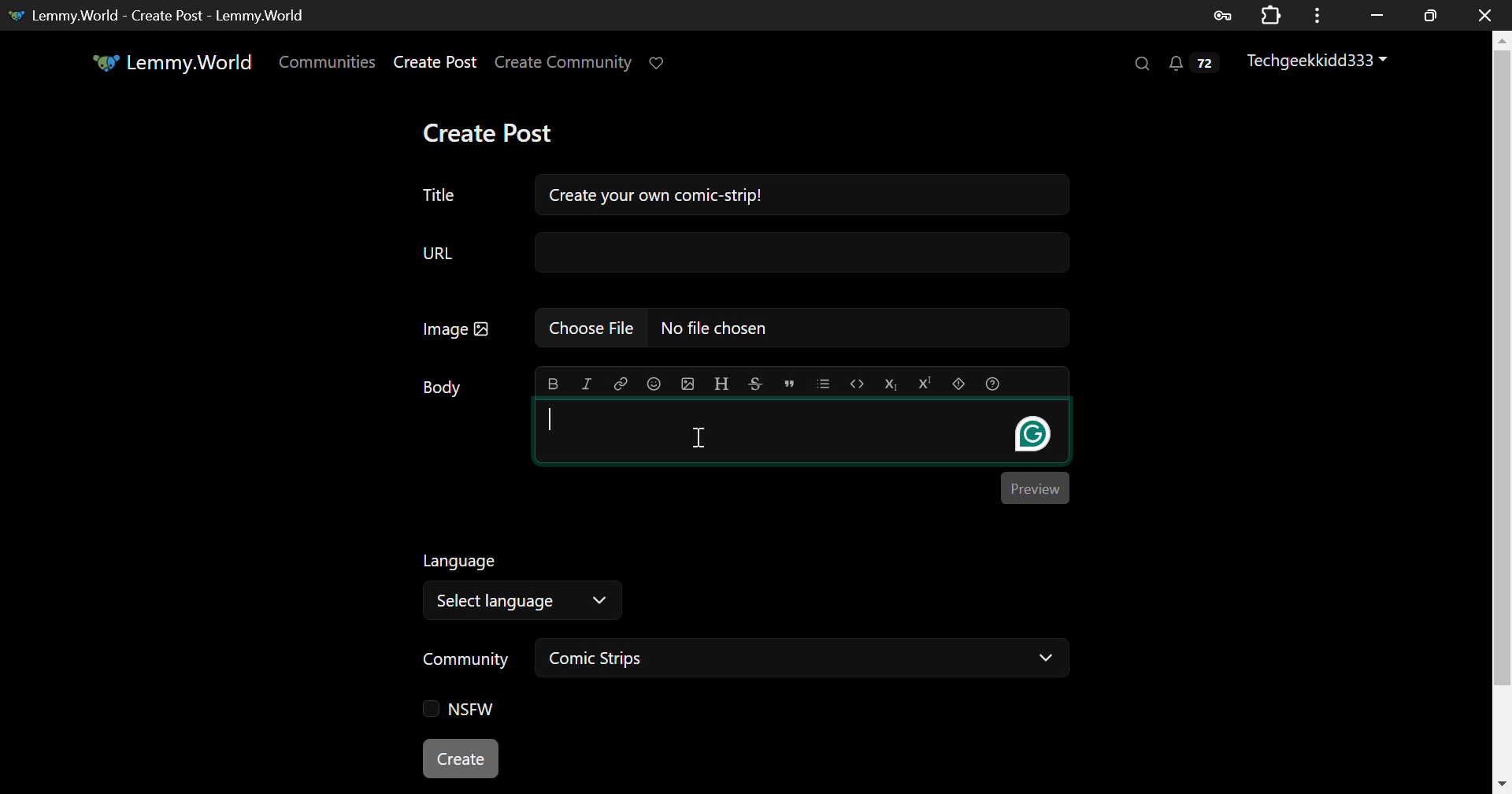  Describe the element at coordinates (893, 384) in the screenshot. I see `Subscript` at that location.